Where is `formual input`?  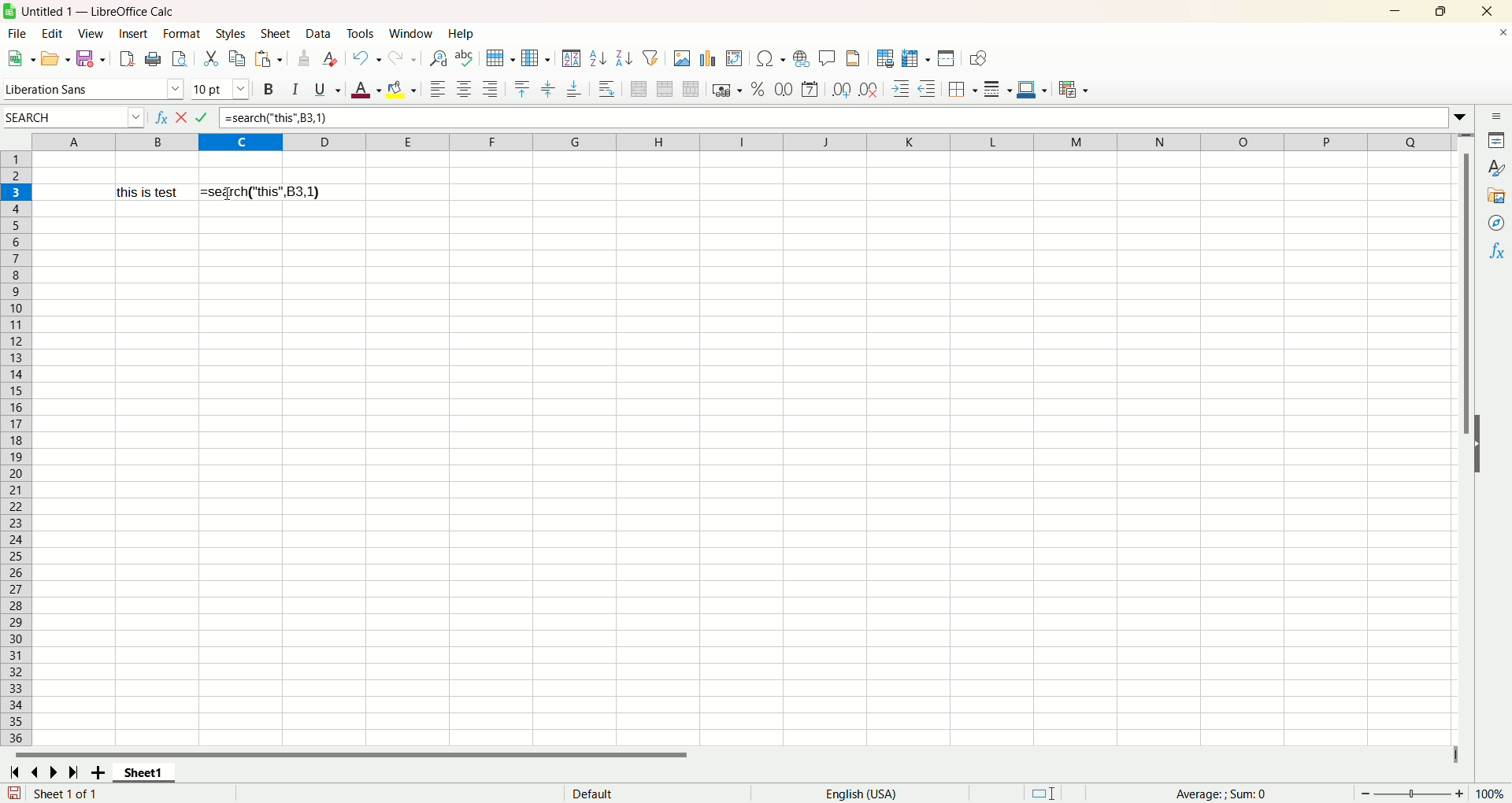 formual input is located at coordinates (276, 118).